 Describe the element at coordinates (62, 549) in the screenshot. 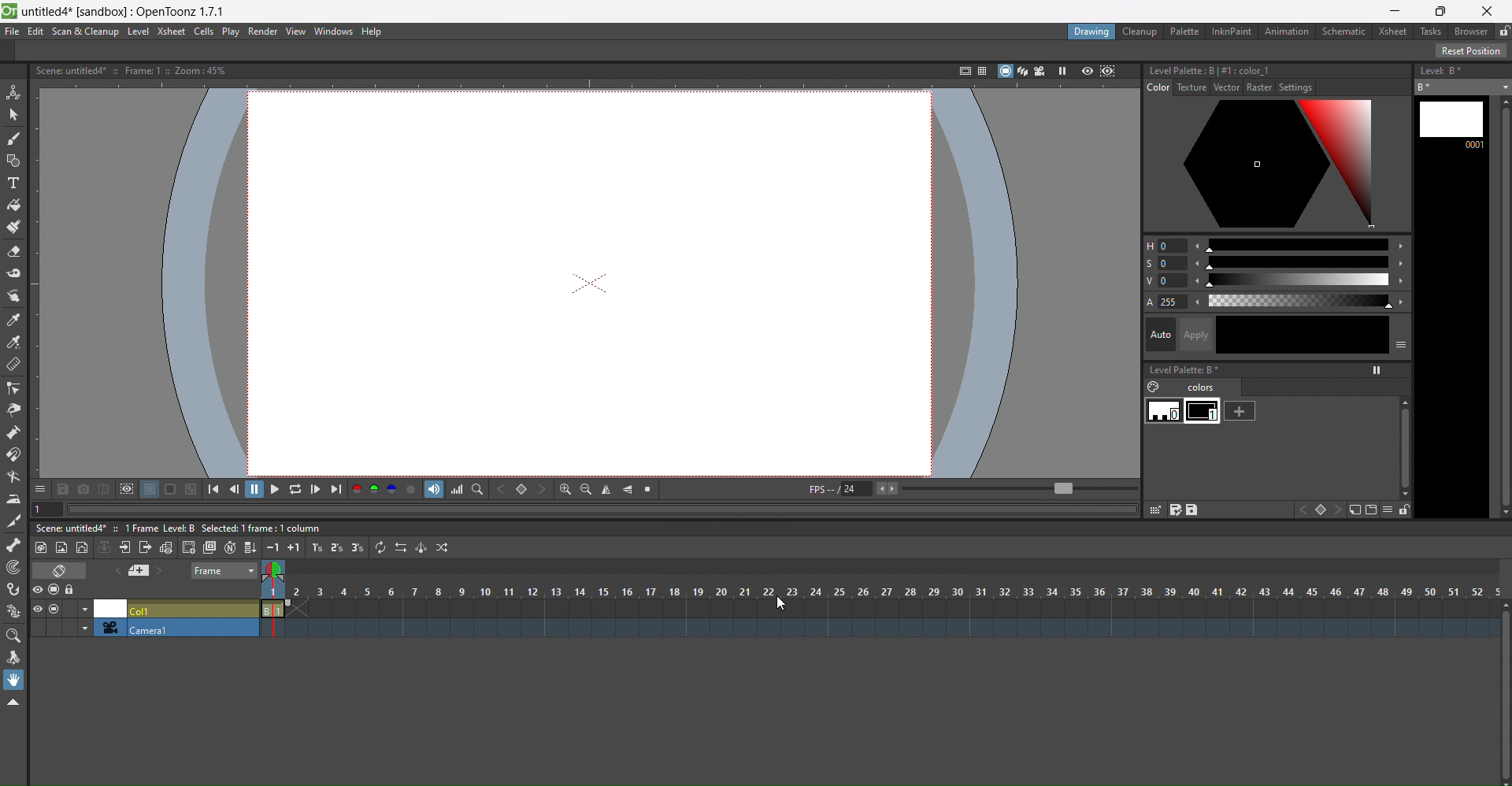

I see `new raster level` at that location.